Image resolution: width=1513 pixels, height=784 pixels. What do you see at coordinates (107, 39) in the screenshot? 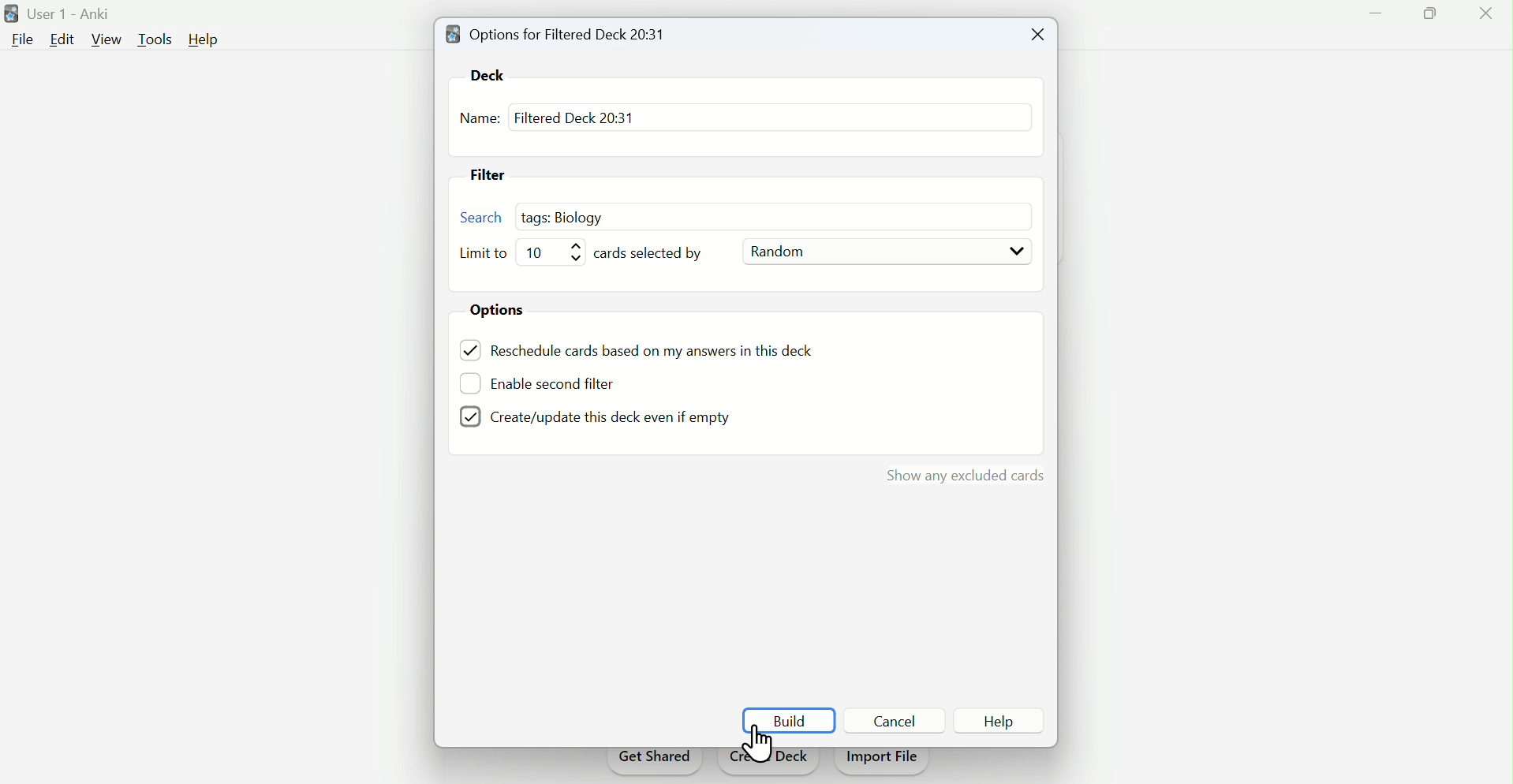
I see `View` at bounding box center [107, 39].